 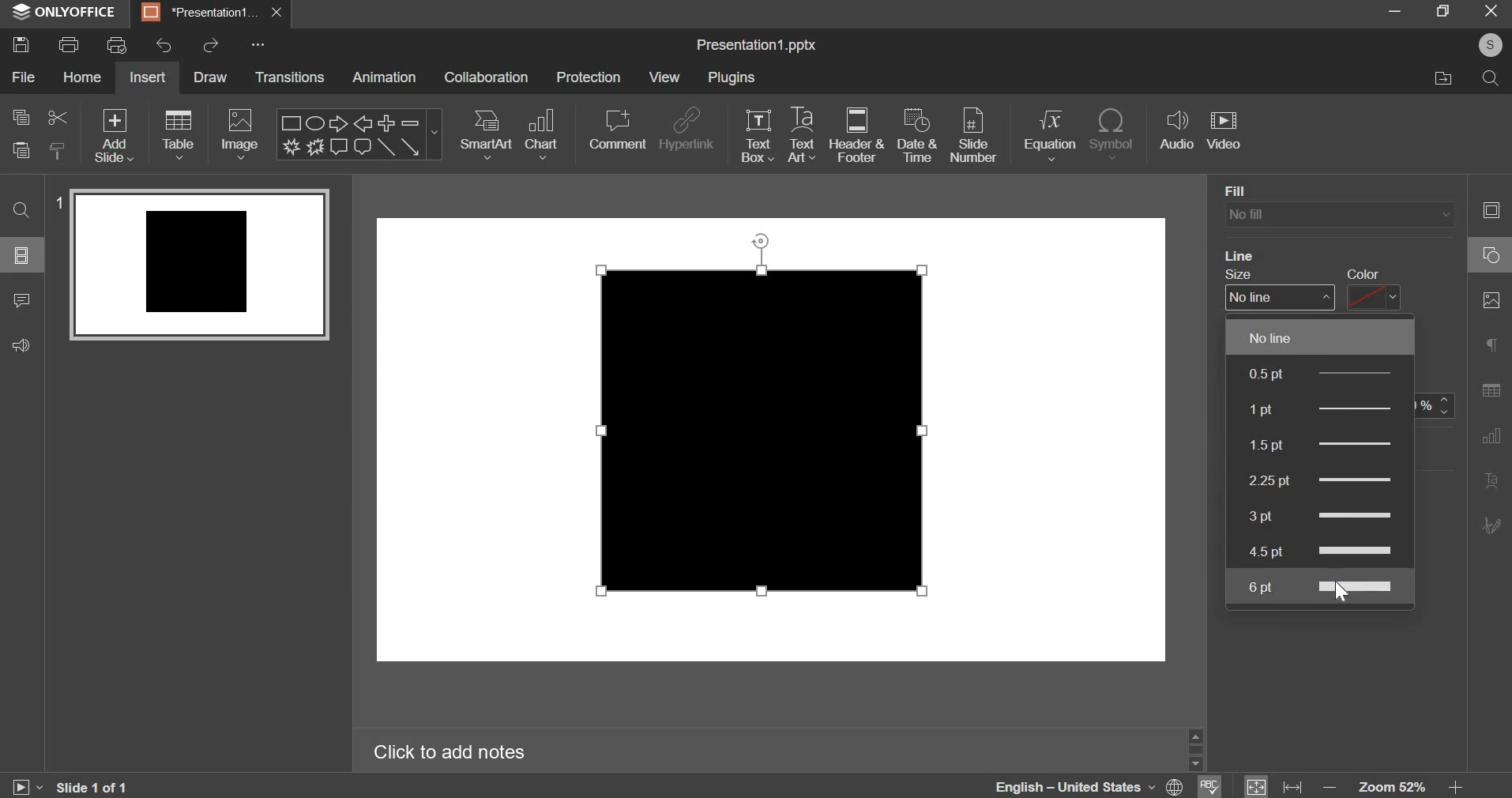 What do you see at coordinates (1489, 347) in the screenshot?
I see `Quote` at bounding box center [1489, 347].